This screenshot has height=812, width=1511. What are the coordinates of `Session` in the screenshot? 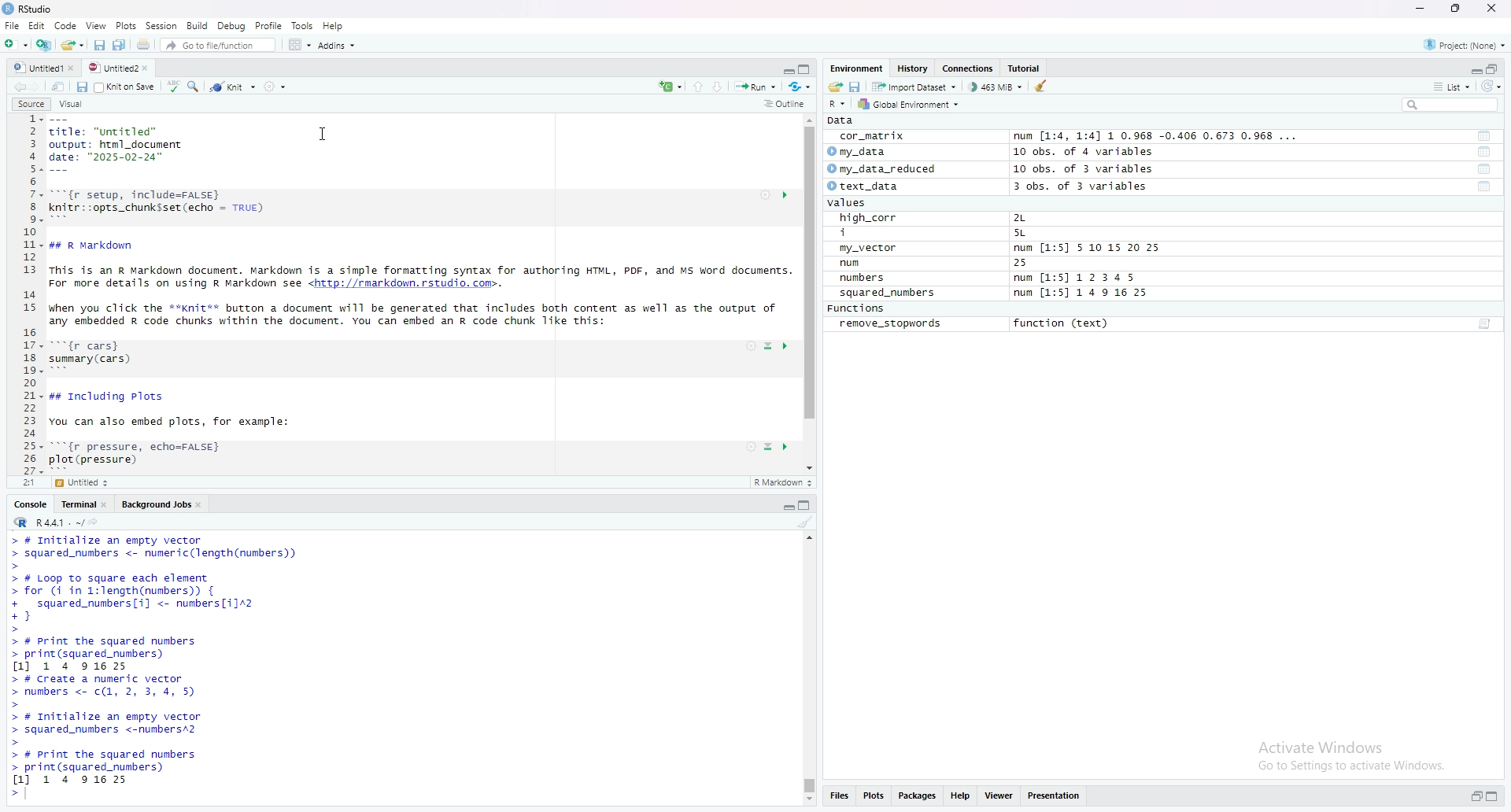 It's located at (160, 27).